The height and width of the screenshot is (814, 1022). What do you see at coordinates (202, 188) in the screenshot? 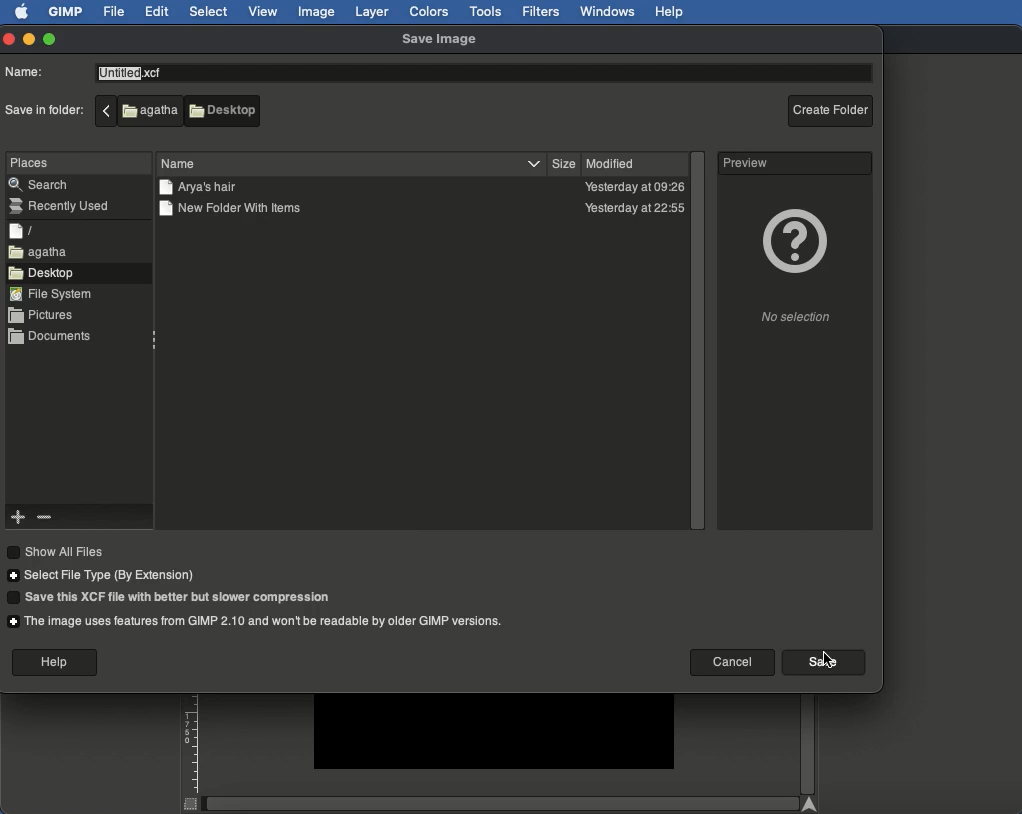
I see `Folder` at bounding box center [202, 188].